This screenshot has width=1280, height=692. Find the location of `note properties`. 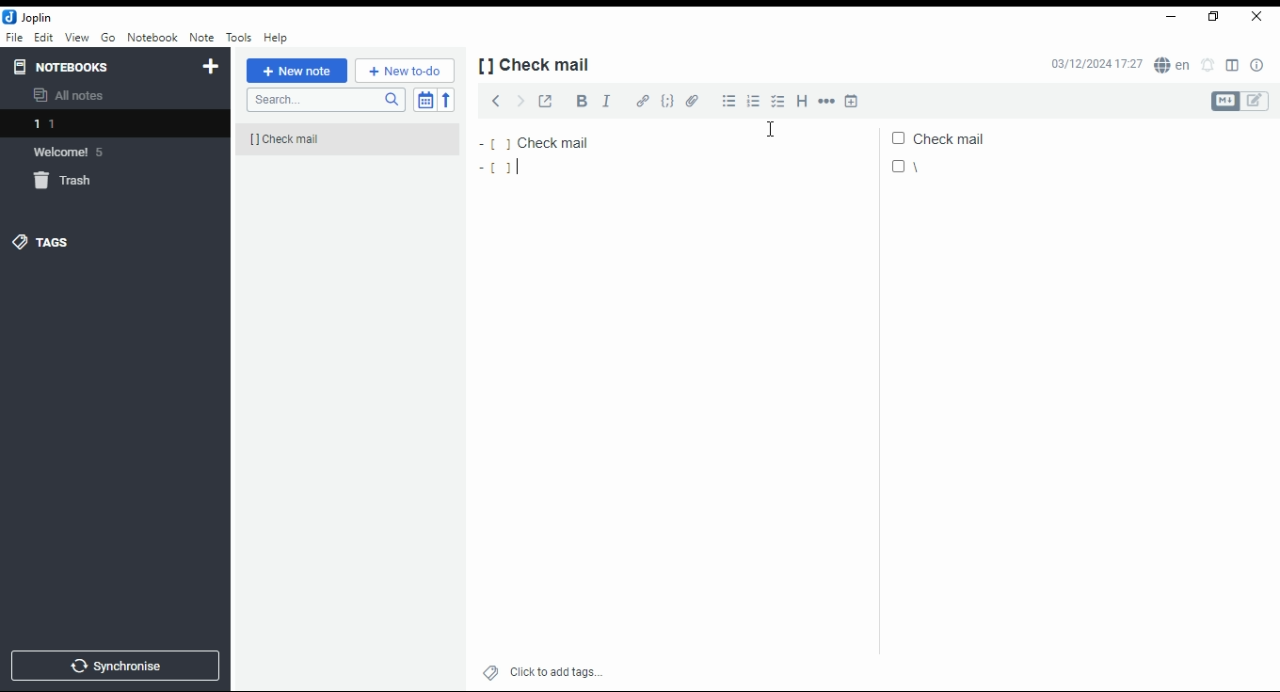

note properties is located at coordinates (1257, 65).